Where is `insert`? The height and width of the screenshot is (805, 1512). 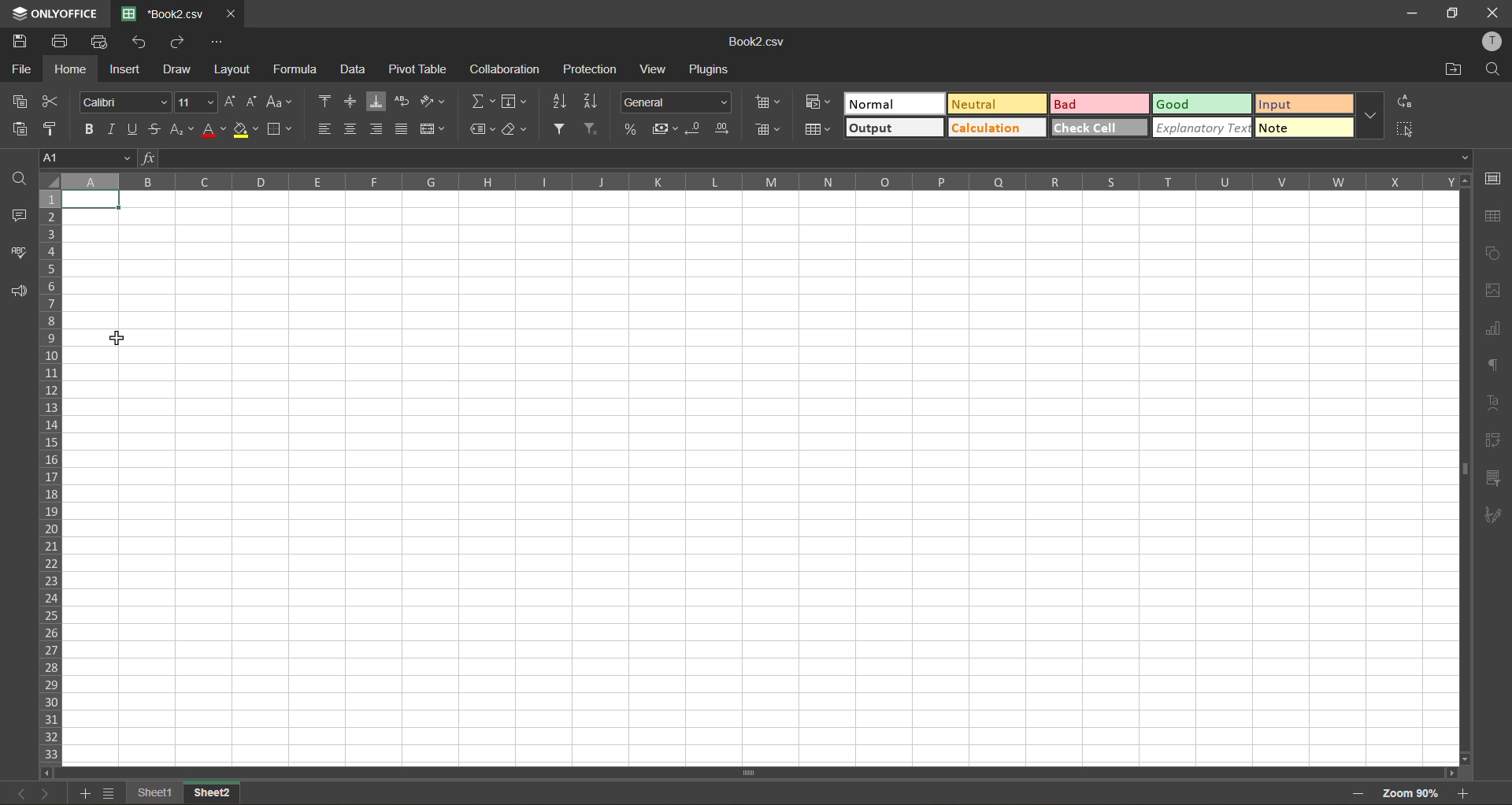 insert is located at coordinates (127, 72).